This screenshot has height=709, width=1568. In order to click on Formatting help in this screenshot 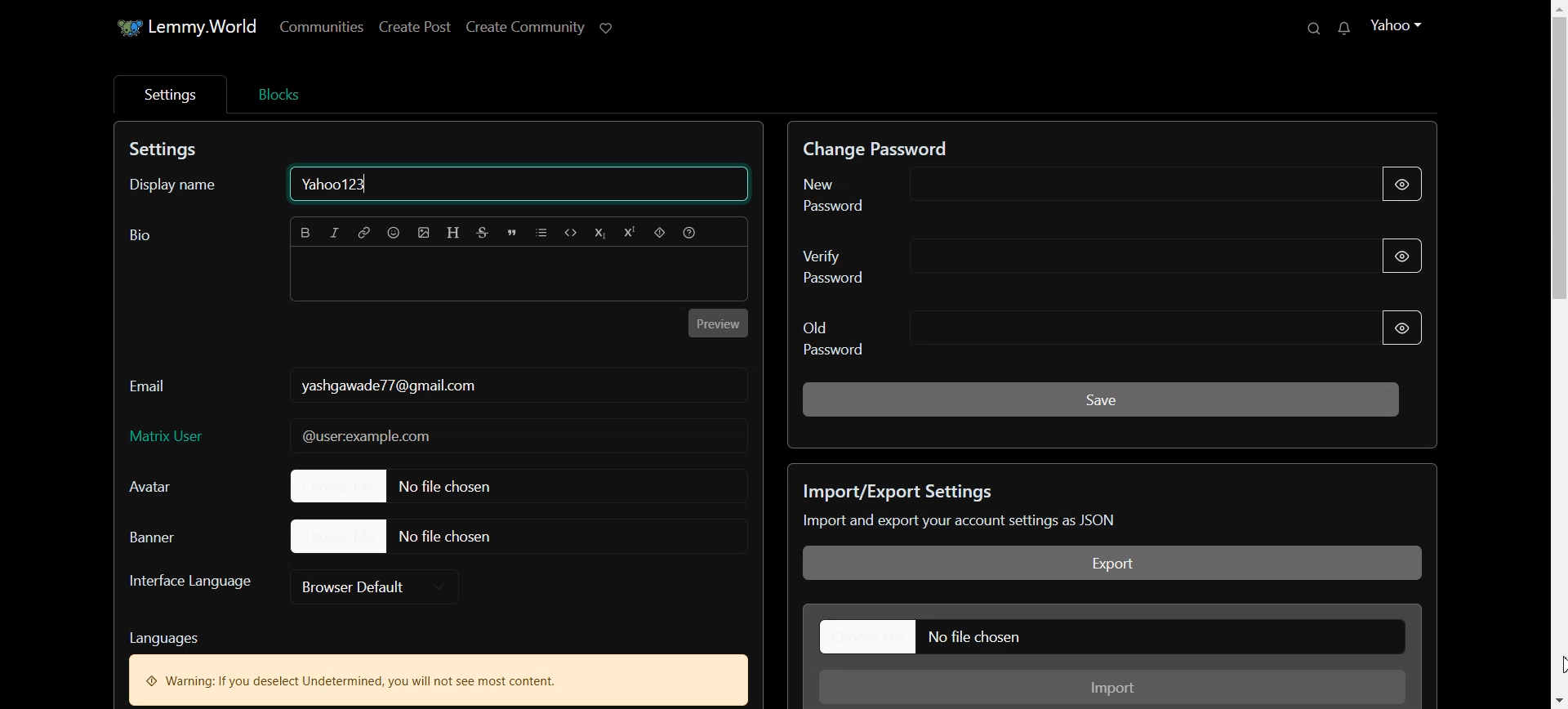, I will do `click(690, 234)`.